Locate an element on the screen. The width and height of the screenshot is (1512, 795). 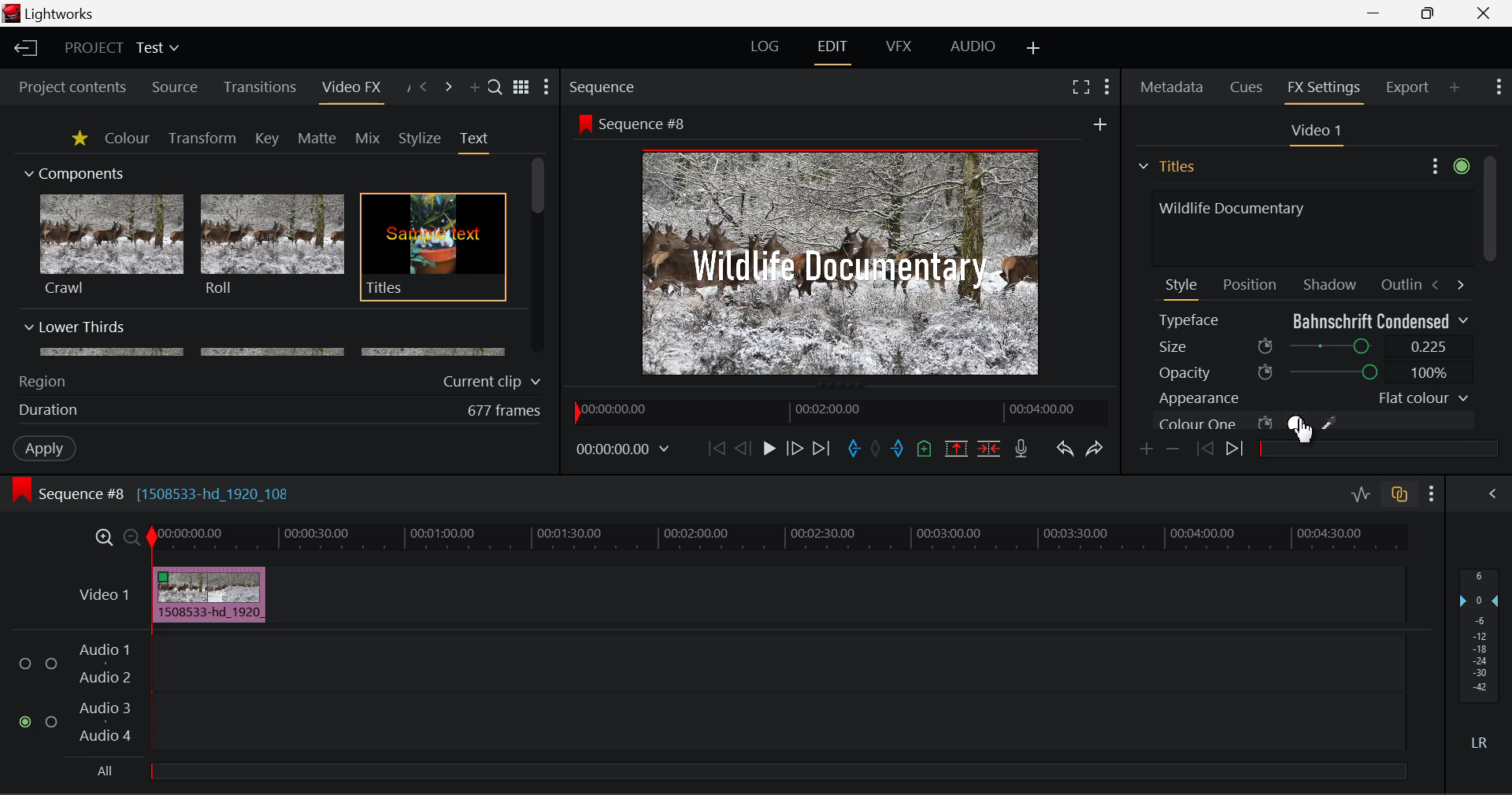
checked checkbox is located at coordinates (28, 723).